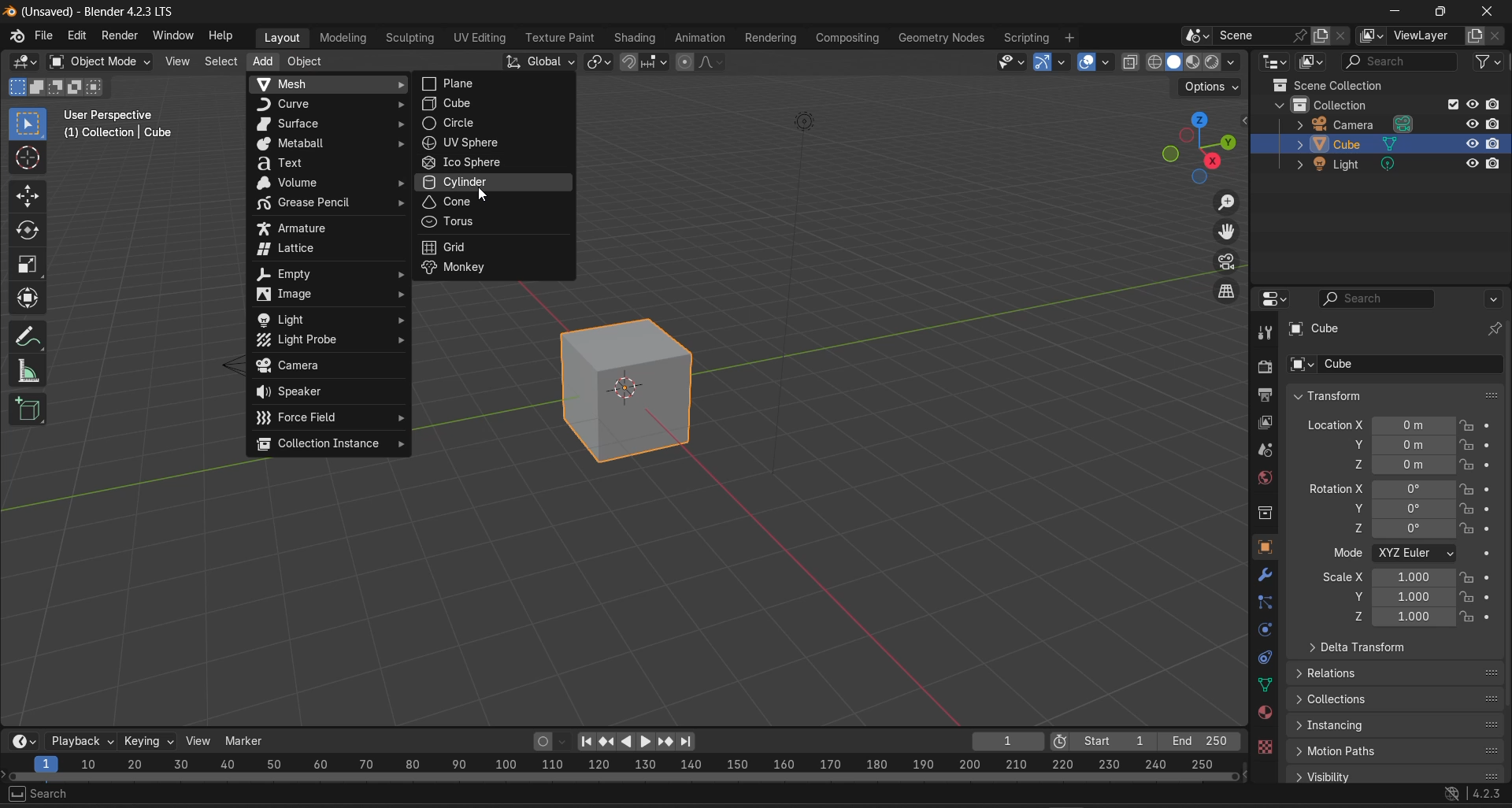 The height and width of the screenshot is (808, 1512). Describe the element at coordinates (55, 88) in the screenshot. I see `mode: subtract existing selection` at that location.